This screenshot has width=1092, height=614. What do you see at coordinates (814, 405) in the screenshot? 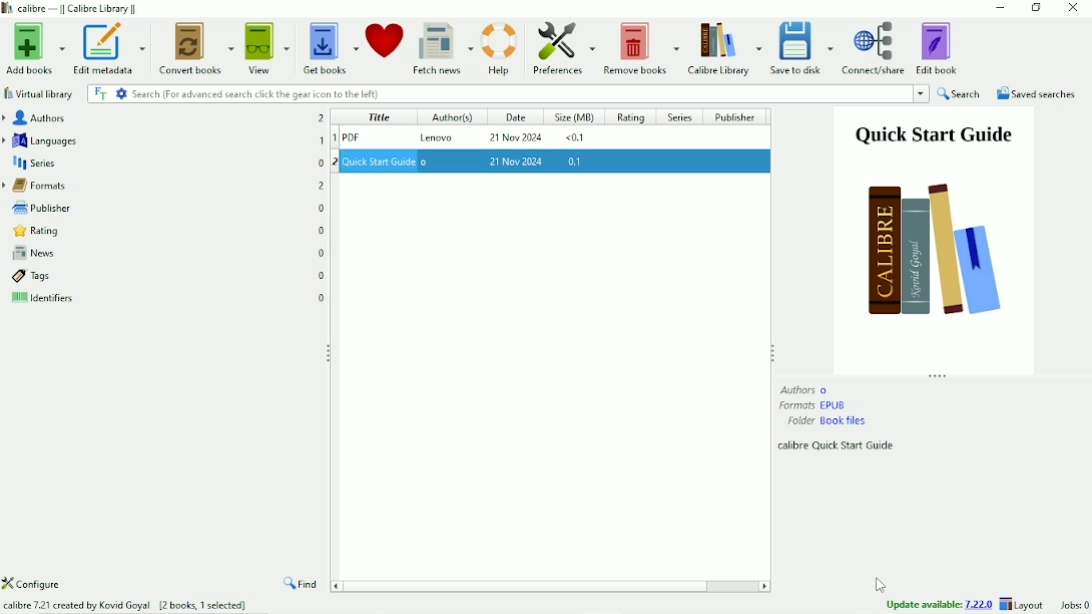
I see `Formats` at bounding box center [814, 405].